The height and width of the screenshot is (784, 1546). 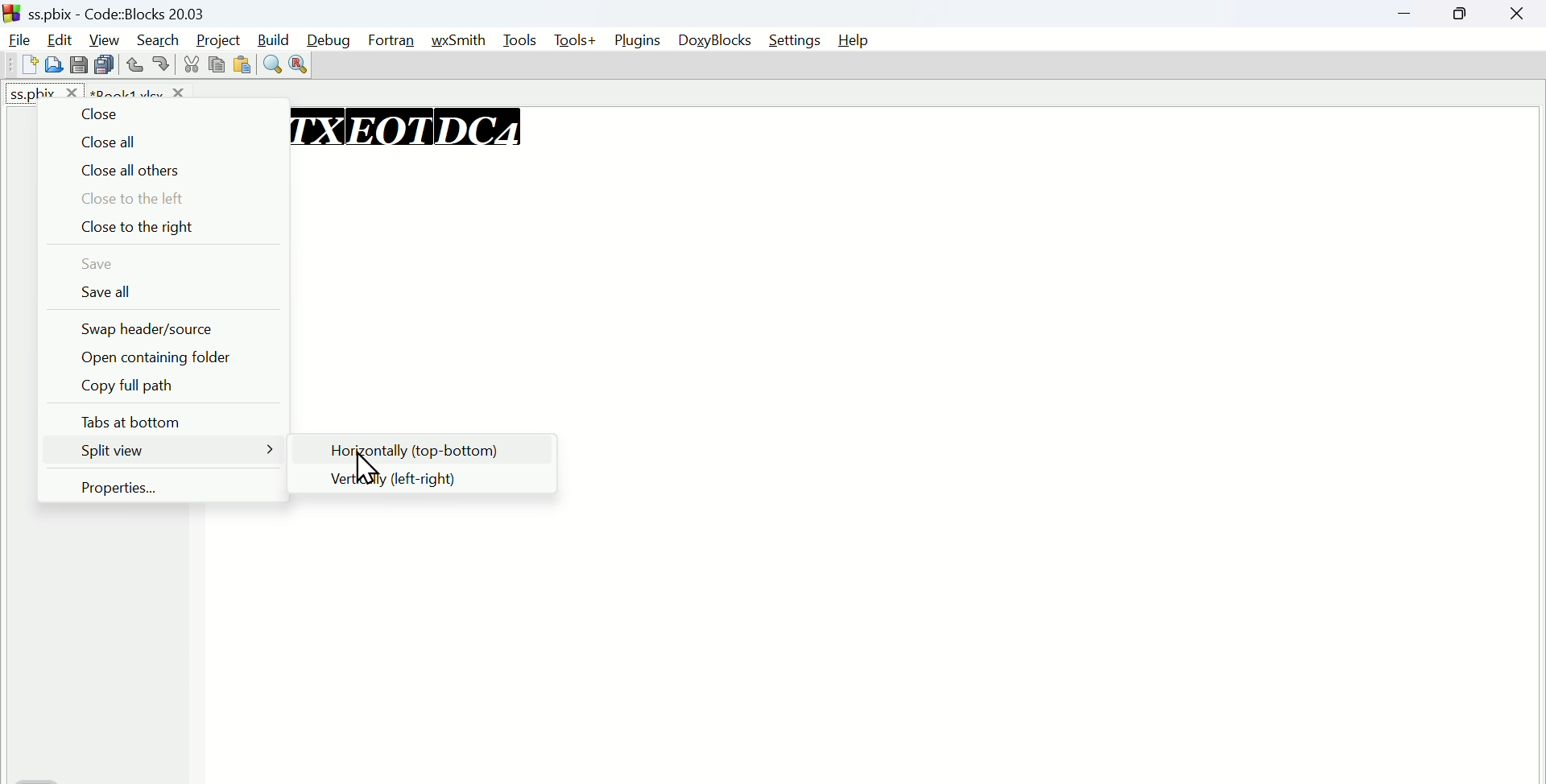 I want to click on Vertically left-right, so click(x=431, y=479).